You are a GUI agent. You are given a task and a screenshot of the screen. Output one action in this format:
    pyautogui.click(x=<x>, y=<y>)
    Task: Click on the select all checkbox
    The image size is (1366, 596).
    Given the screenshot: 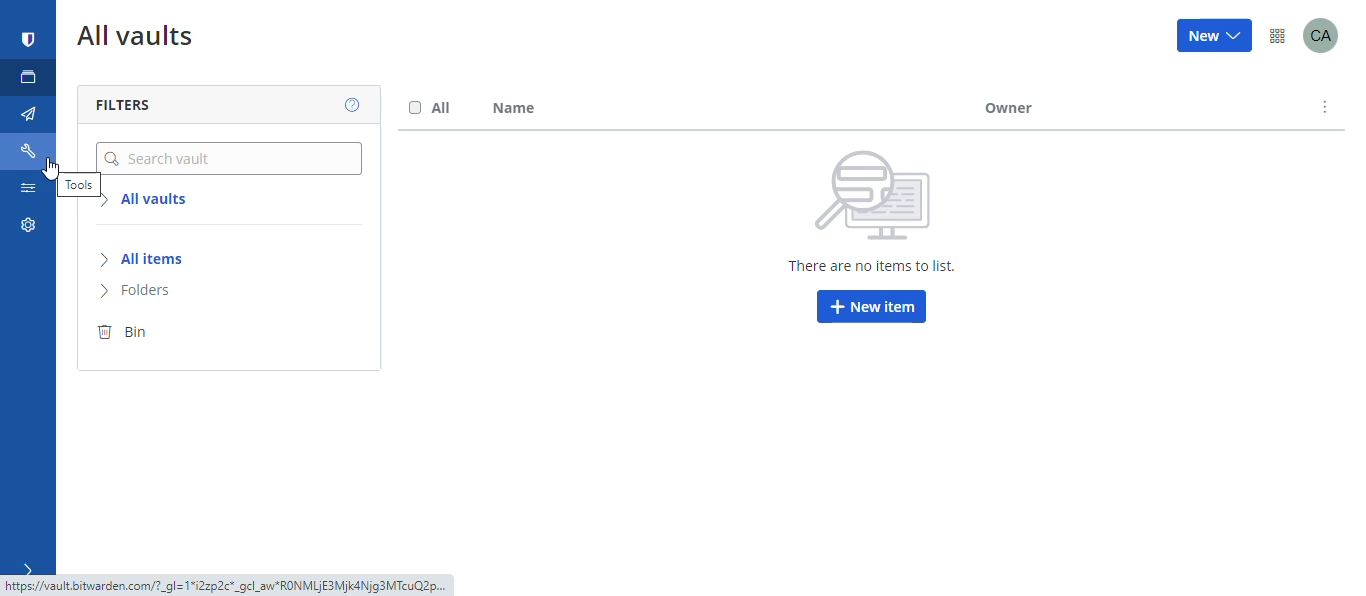 What is the action you would take?
    pyautogui.click(x=431, y=109)
    